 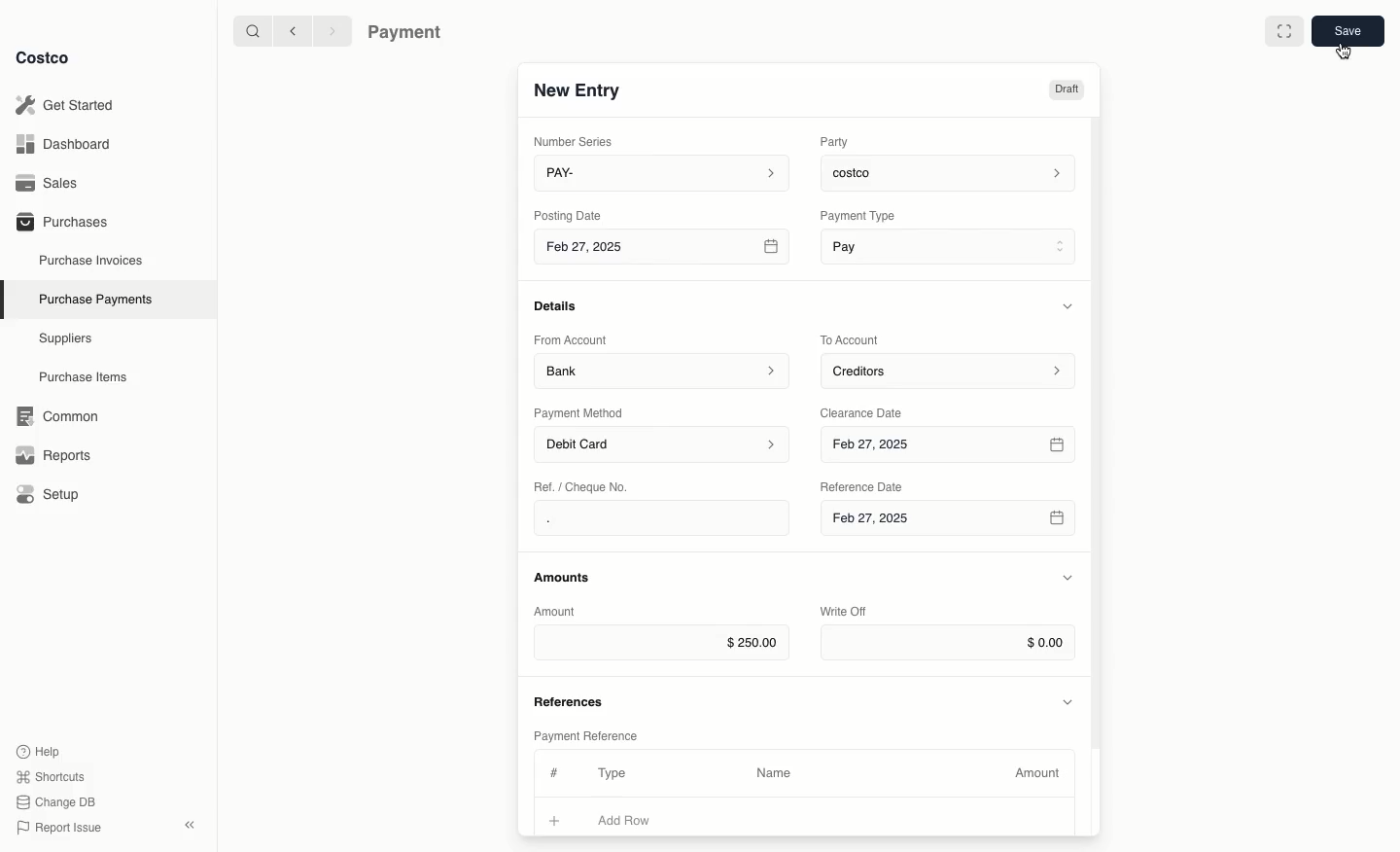 I want to click on Hide, so click(x=1067, y=579).